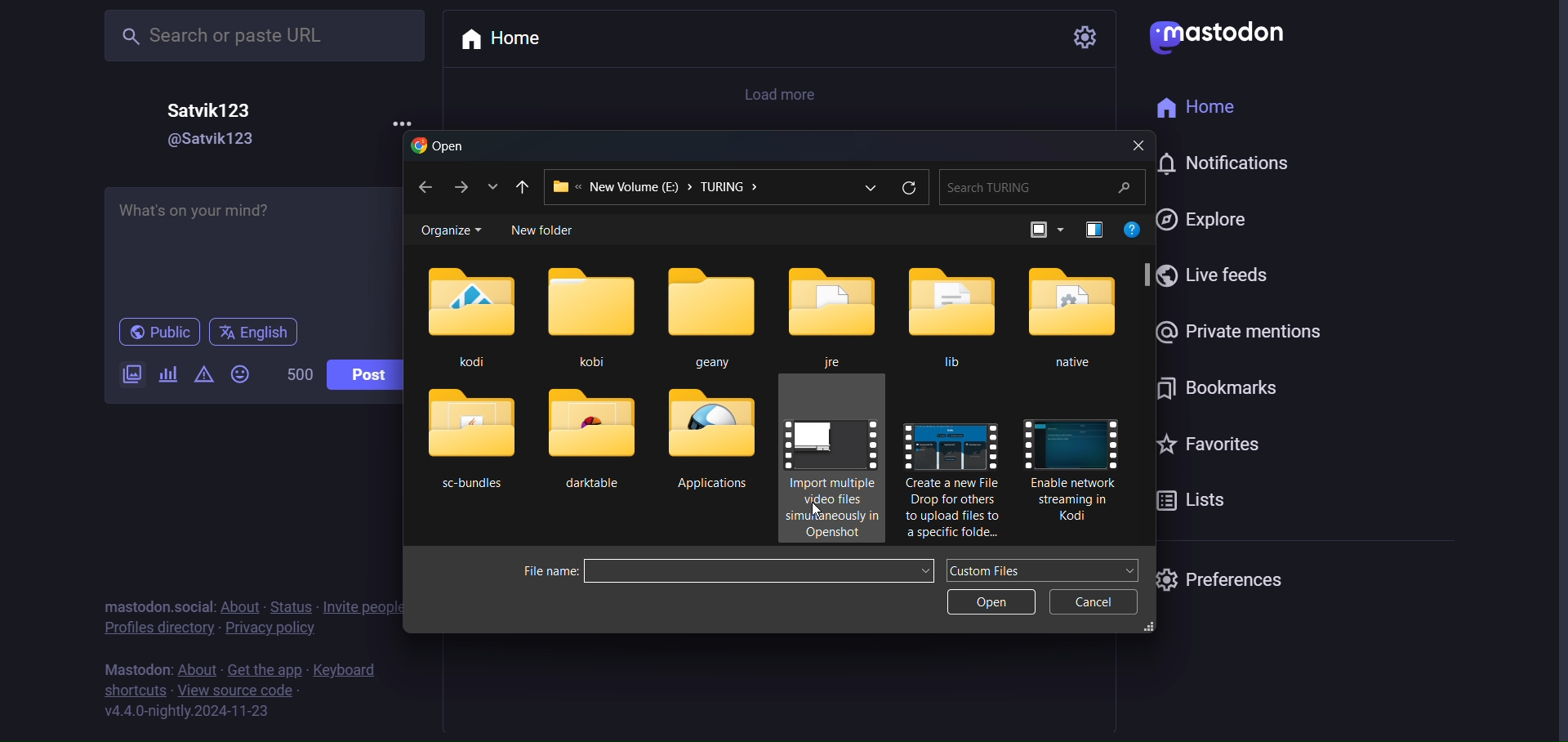 The width and height of the screenshot is (1568, 742). I want to click on Search or paste URL, so click(263, 35).